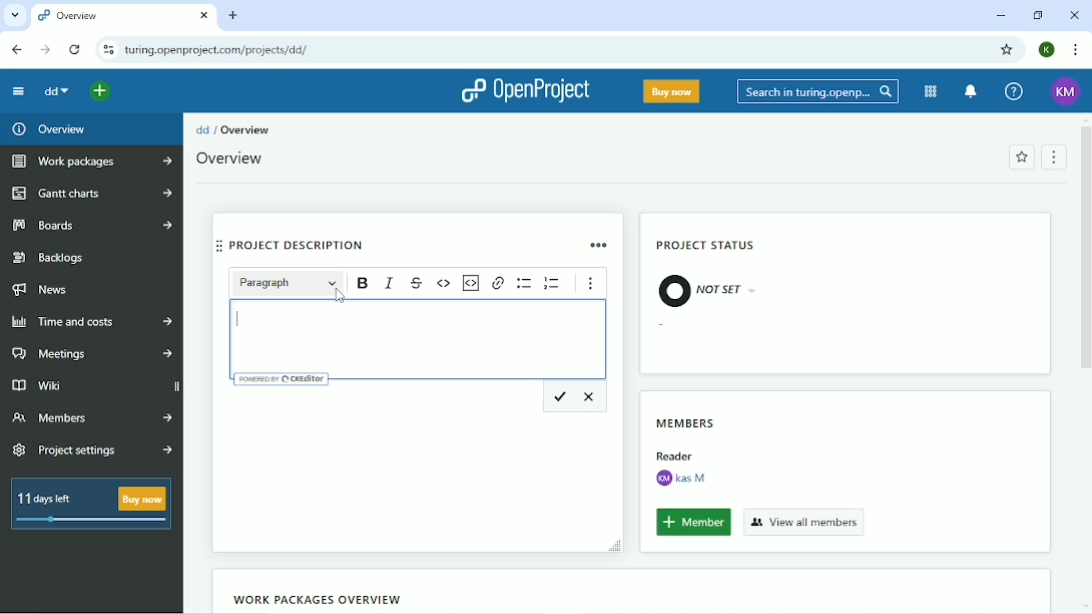 The height and width of the screenshot is (614, 1092). I want to click on Select tabs, so click(14, 15).